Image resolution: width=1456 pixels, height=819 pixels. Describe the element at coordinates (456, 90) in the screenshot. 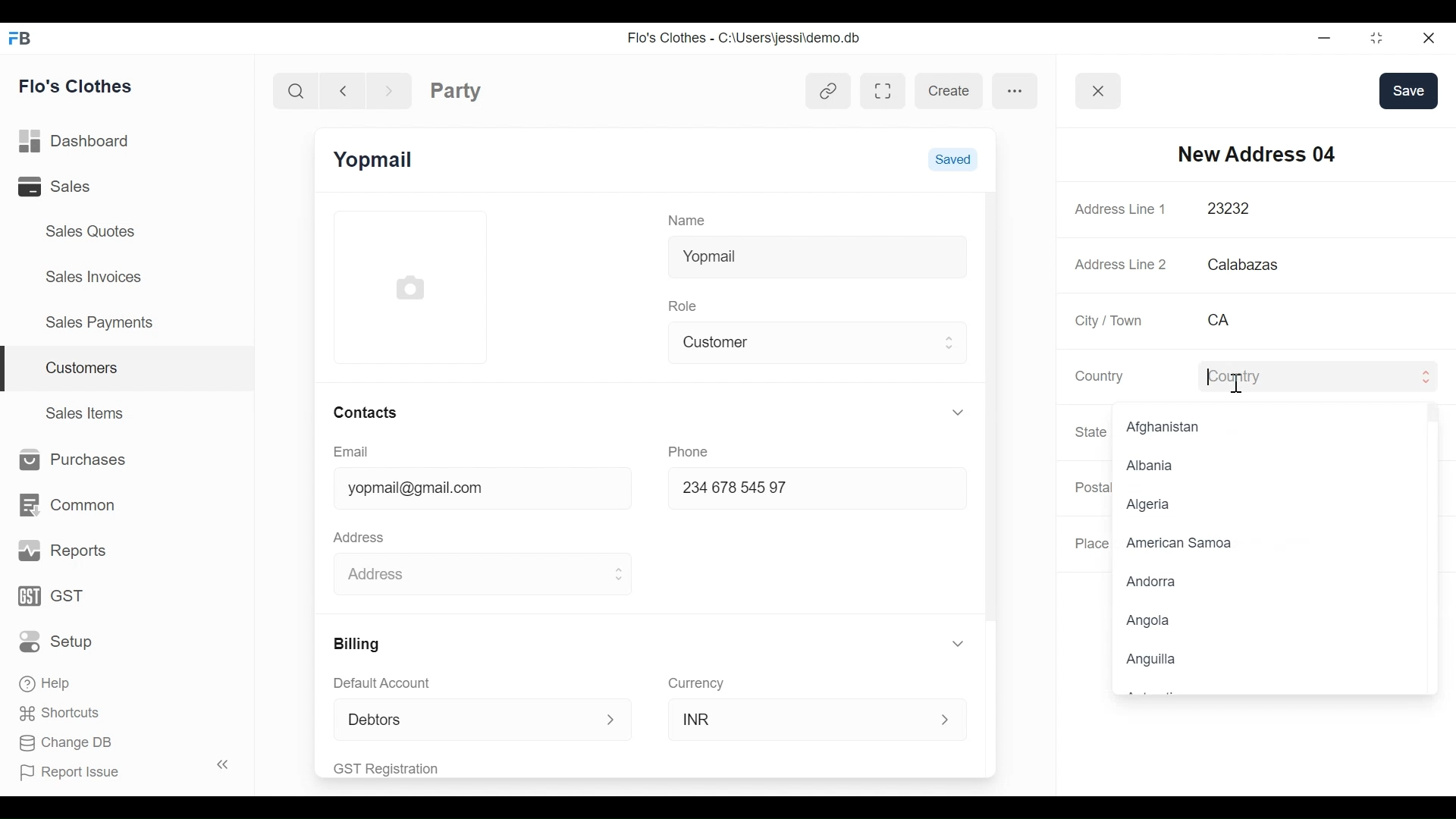

I see `Party` at that location.